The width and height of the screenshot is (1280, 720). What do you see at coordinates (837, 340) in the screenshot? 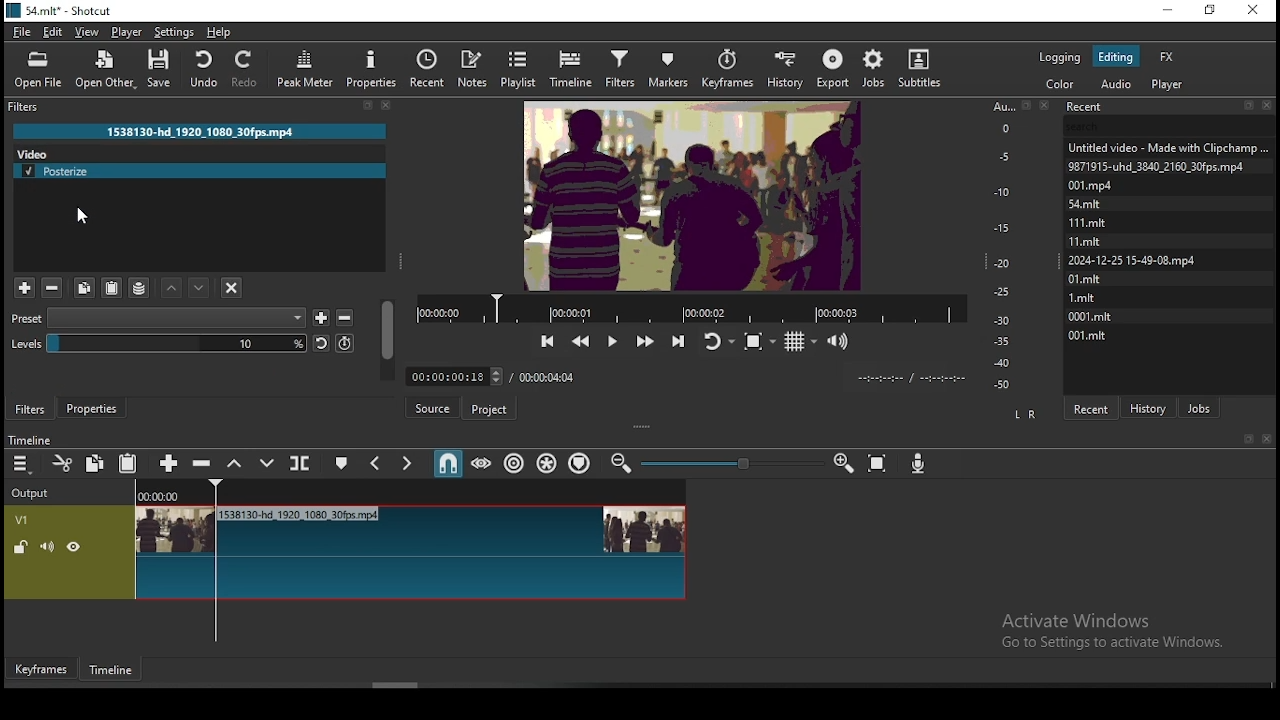
I see `volume control` at bounding box center [837, 340].